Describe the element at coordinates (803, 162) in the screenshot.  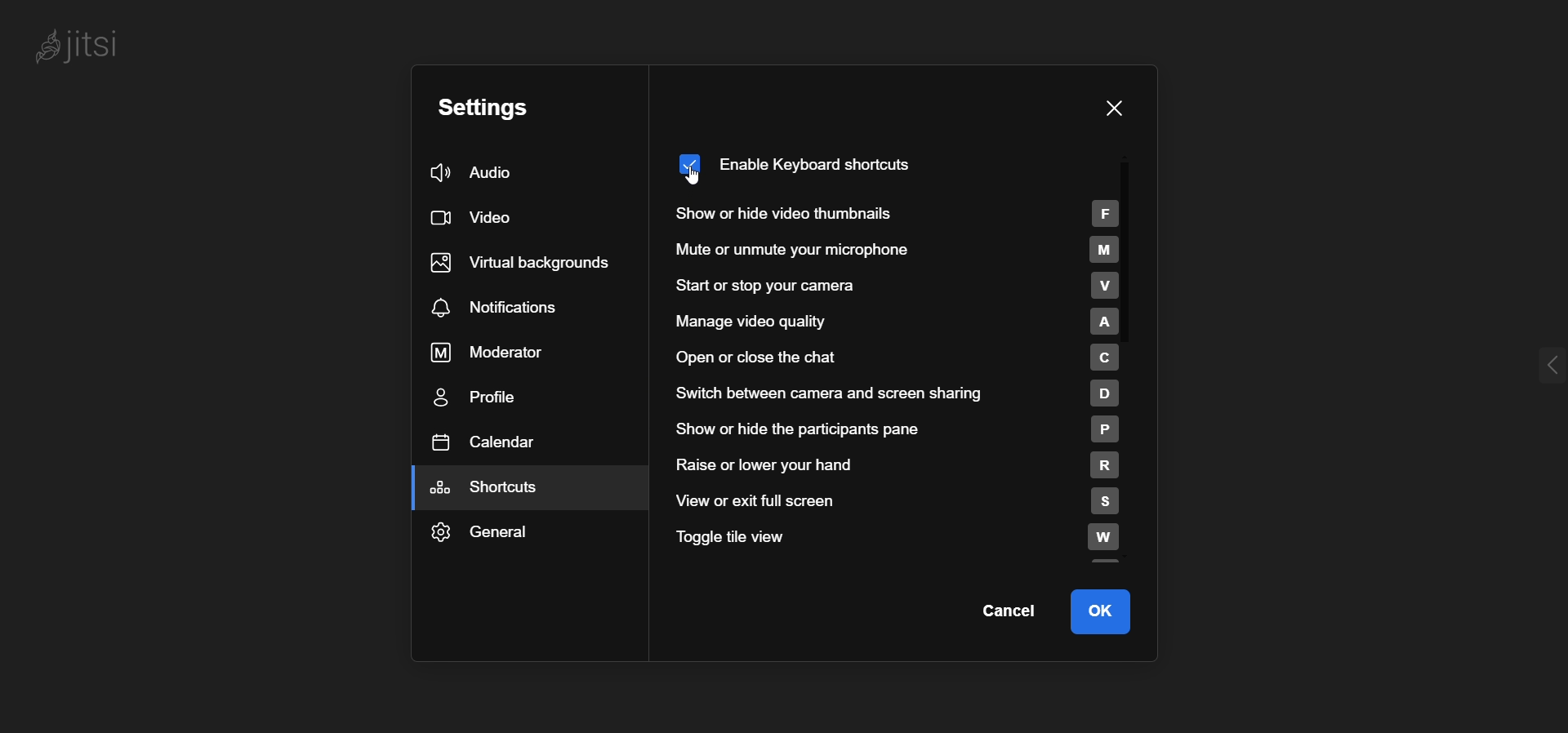
I see `enabled keyboard shortcut` at that location.